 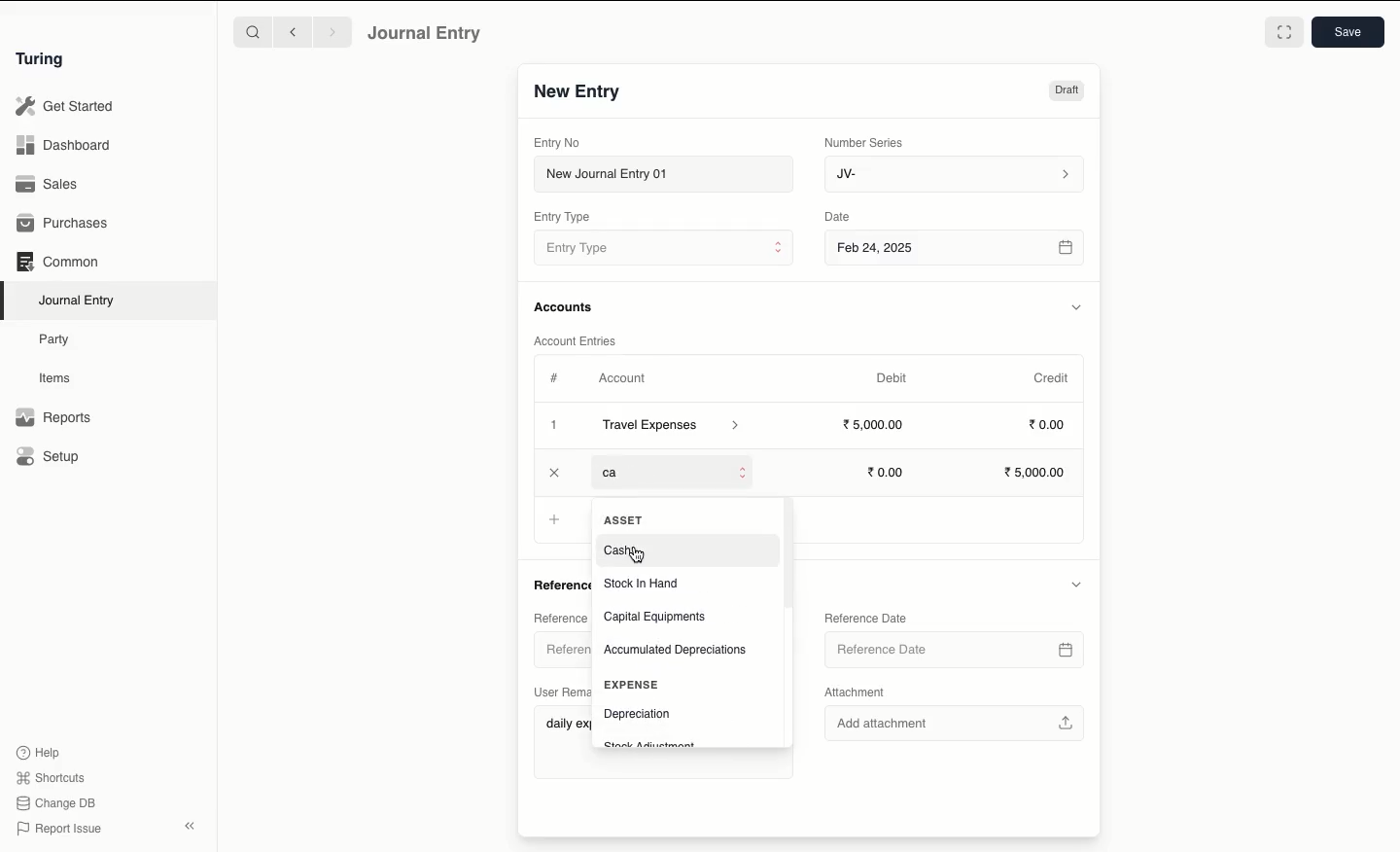 What do you see at coordinates (66, 107) in the screenshot?
I see `Get Started` at bounding box center [66, 107].